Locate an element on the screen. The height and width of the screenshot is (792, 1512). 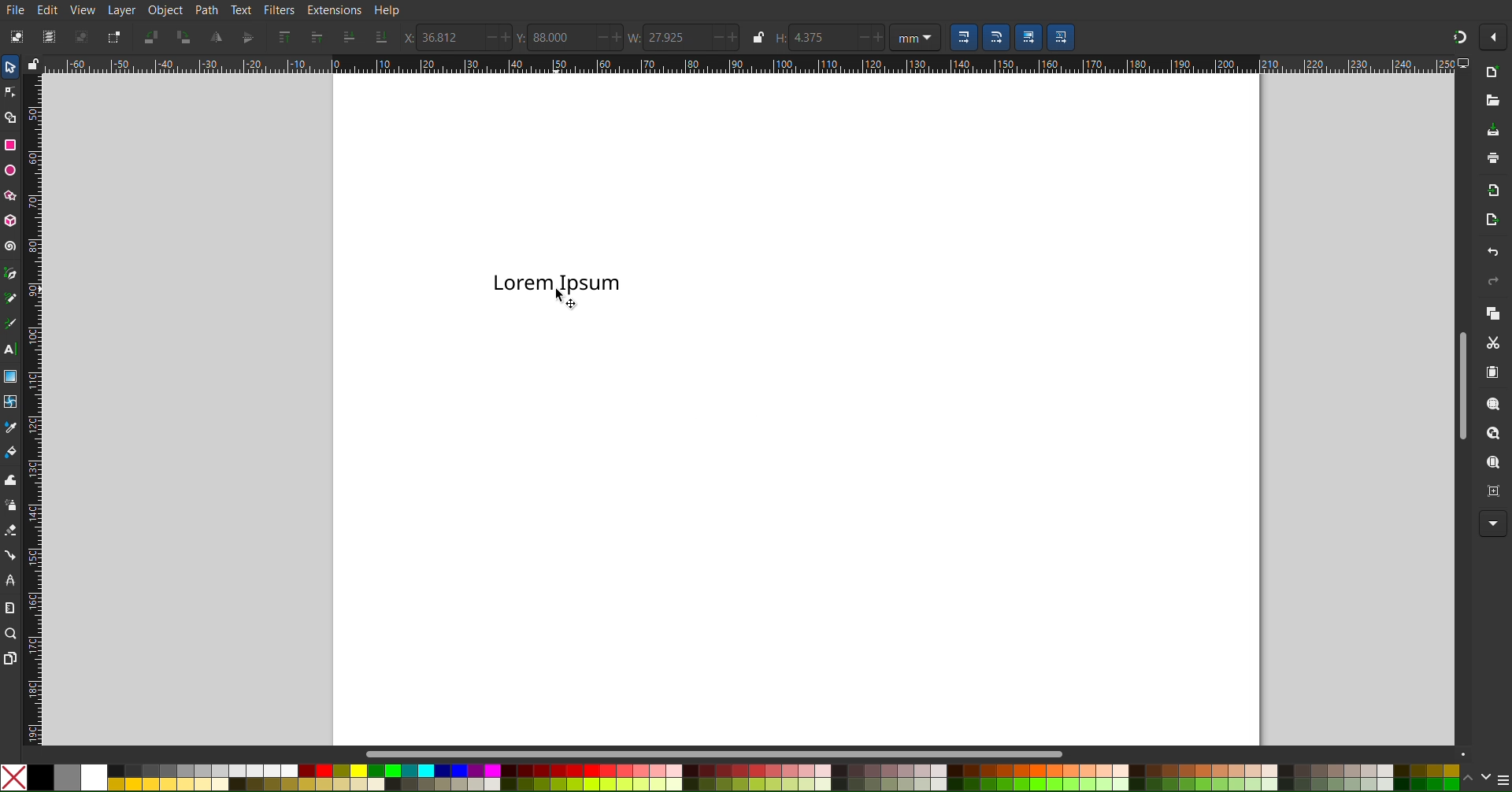
Scrollbar is located at coordinates (917, 751).